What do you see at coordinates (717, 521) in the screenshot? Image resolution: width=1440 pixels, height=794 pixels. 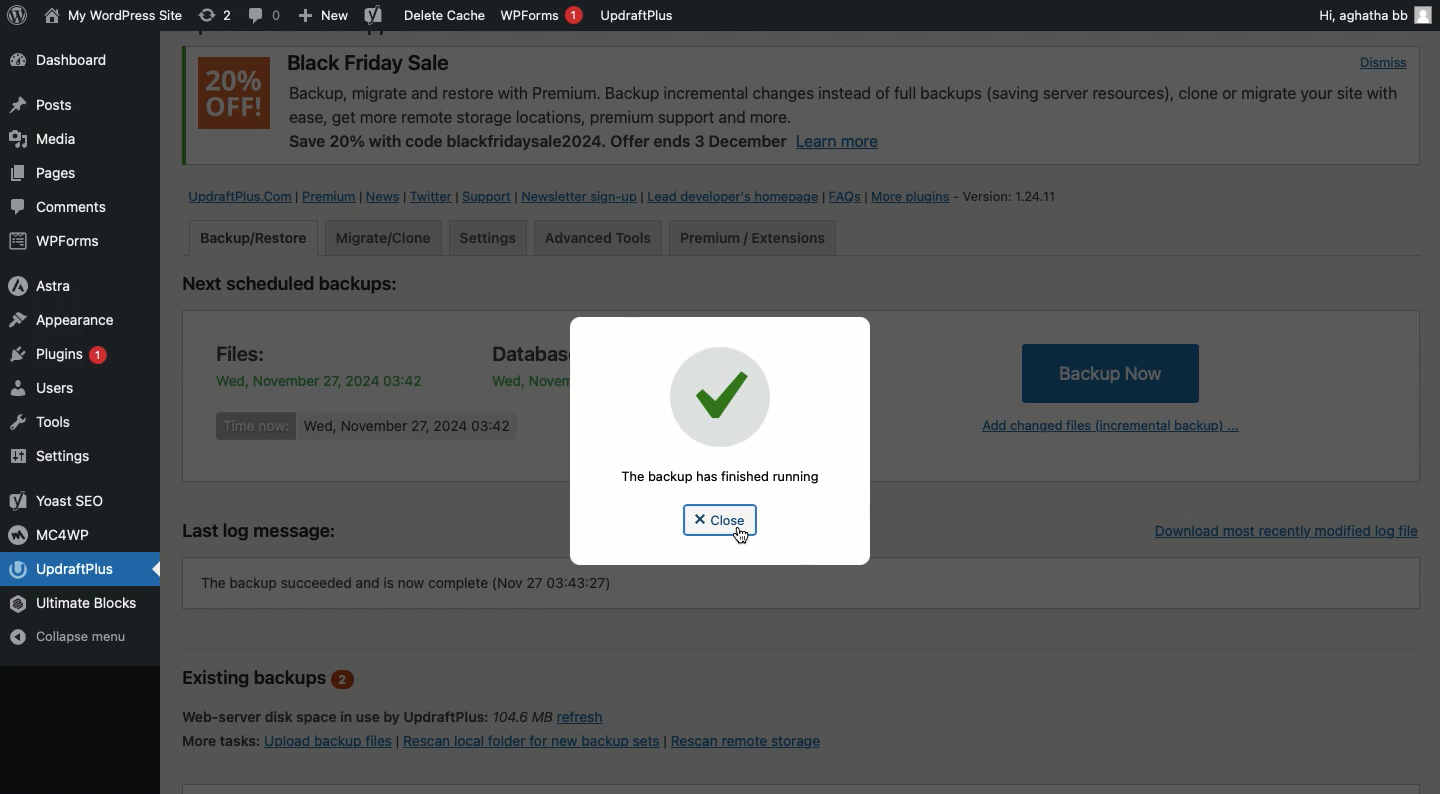 I see `Close` at bounding box center [717, 521].